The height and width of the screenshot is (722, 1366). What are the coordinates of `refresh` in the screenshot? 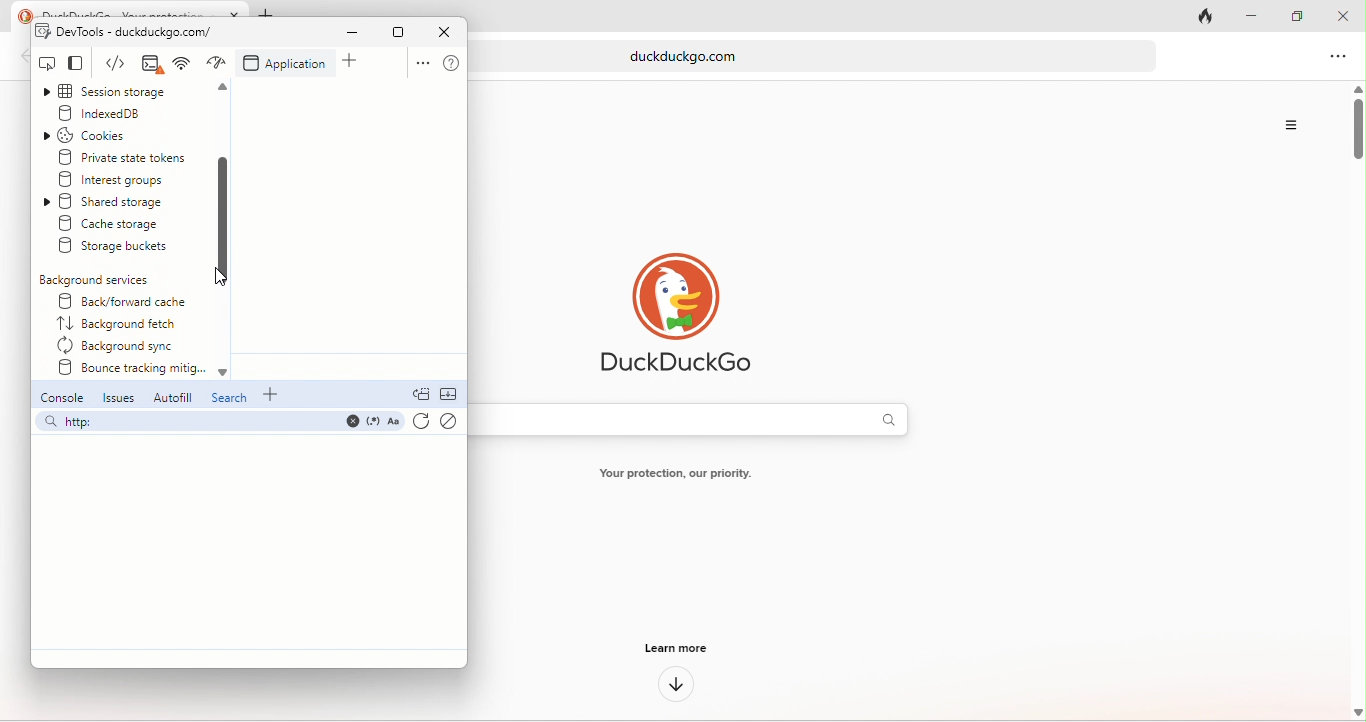 It's located at (421, 424).